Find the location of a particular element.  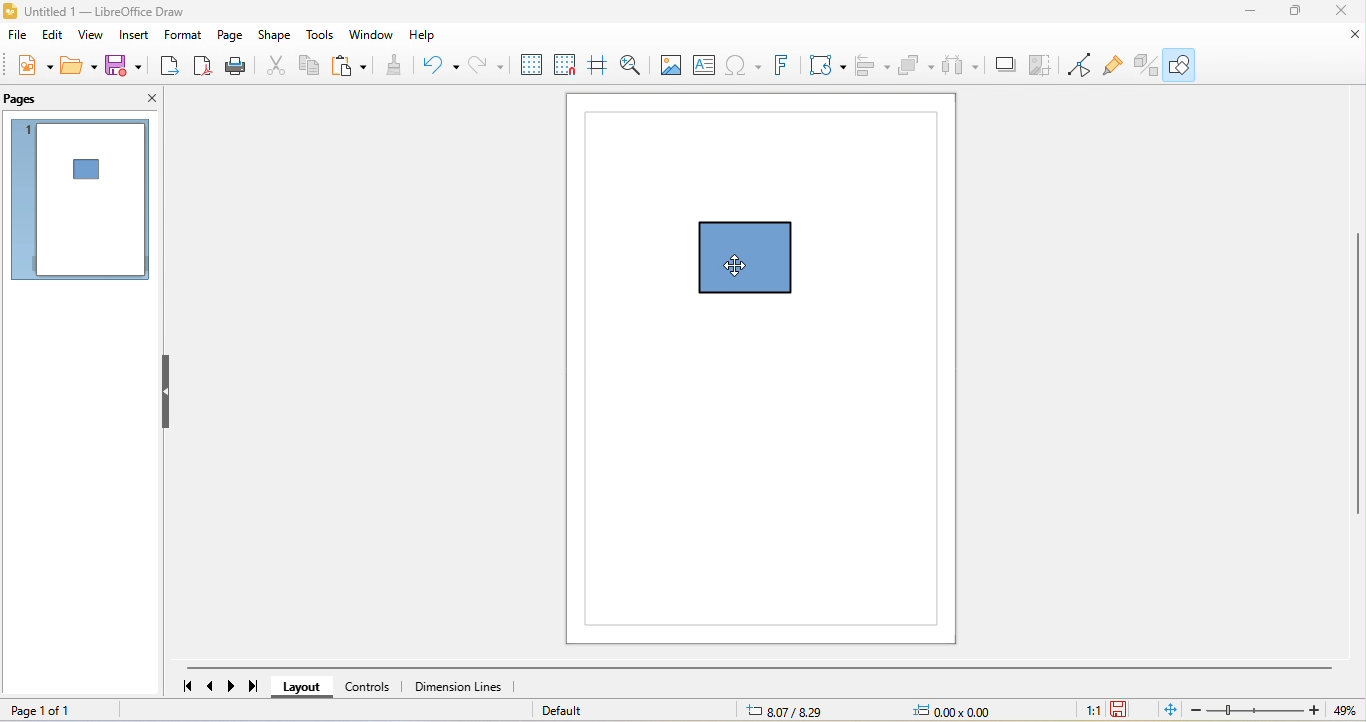

text box is located at coordinates (707, 65).